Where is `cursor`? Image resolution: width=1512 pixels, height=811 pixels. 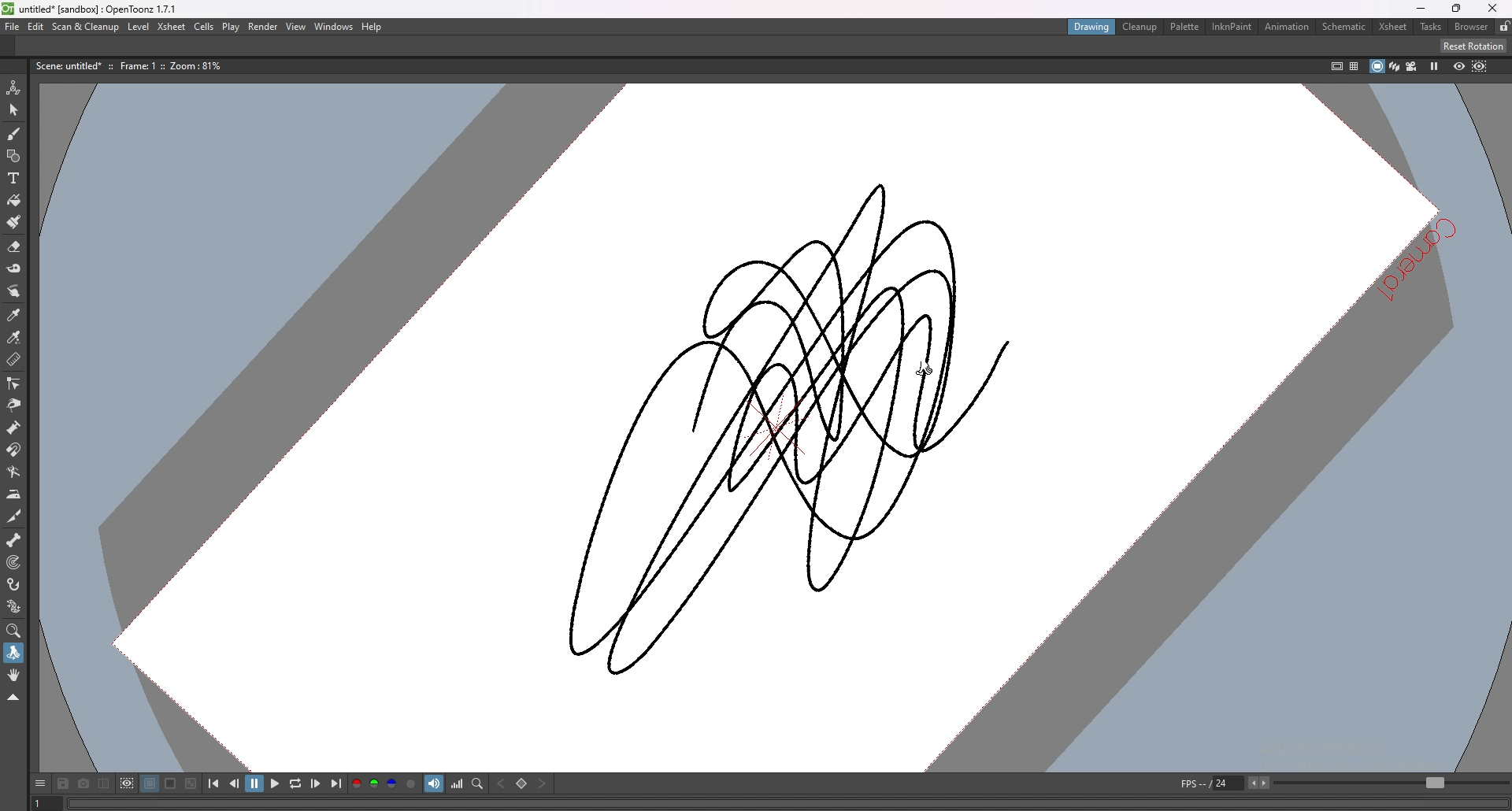
cursor is located at coordinates (925, 368).